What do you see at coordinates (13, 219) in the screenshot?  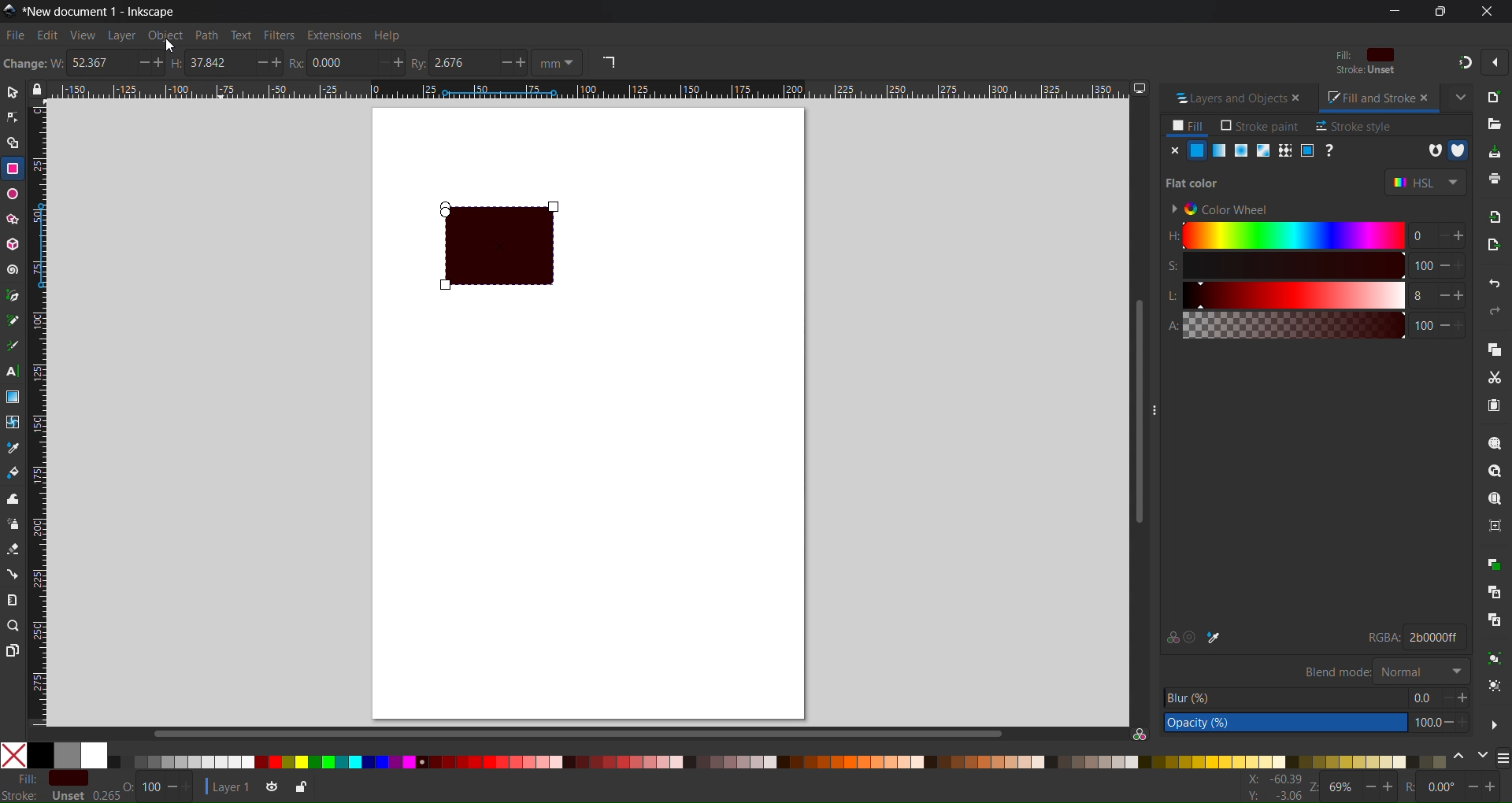 I see `star/ Polygon tool` at bounding box center [13, 219].